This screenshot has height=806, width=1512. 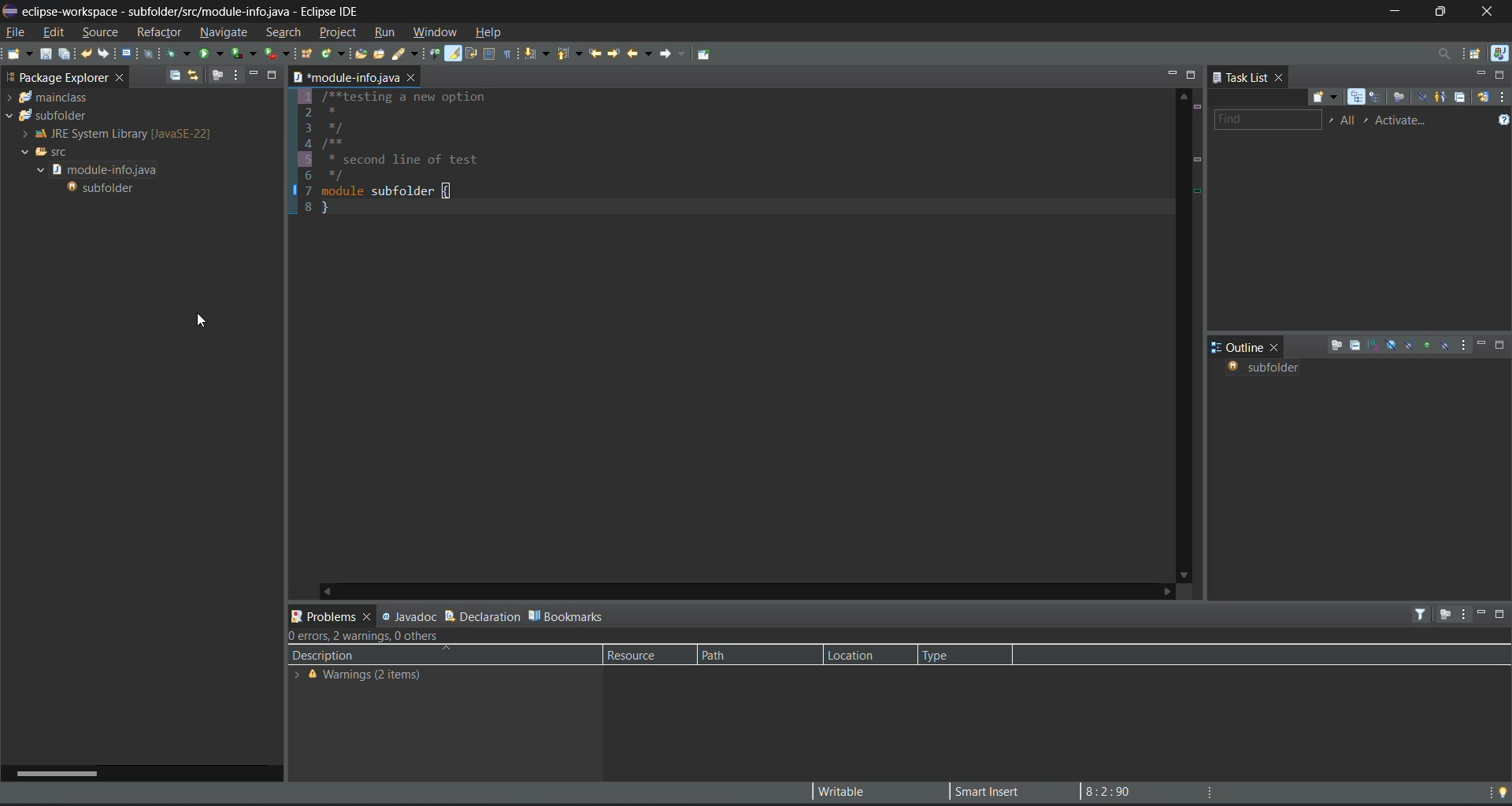 I want to click on select working set, so click(x=1331, y=120).